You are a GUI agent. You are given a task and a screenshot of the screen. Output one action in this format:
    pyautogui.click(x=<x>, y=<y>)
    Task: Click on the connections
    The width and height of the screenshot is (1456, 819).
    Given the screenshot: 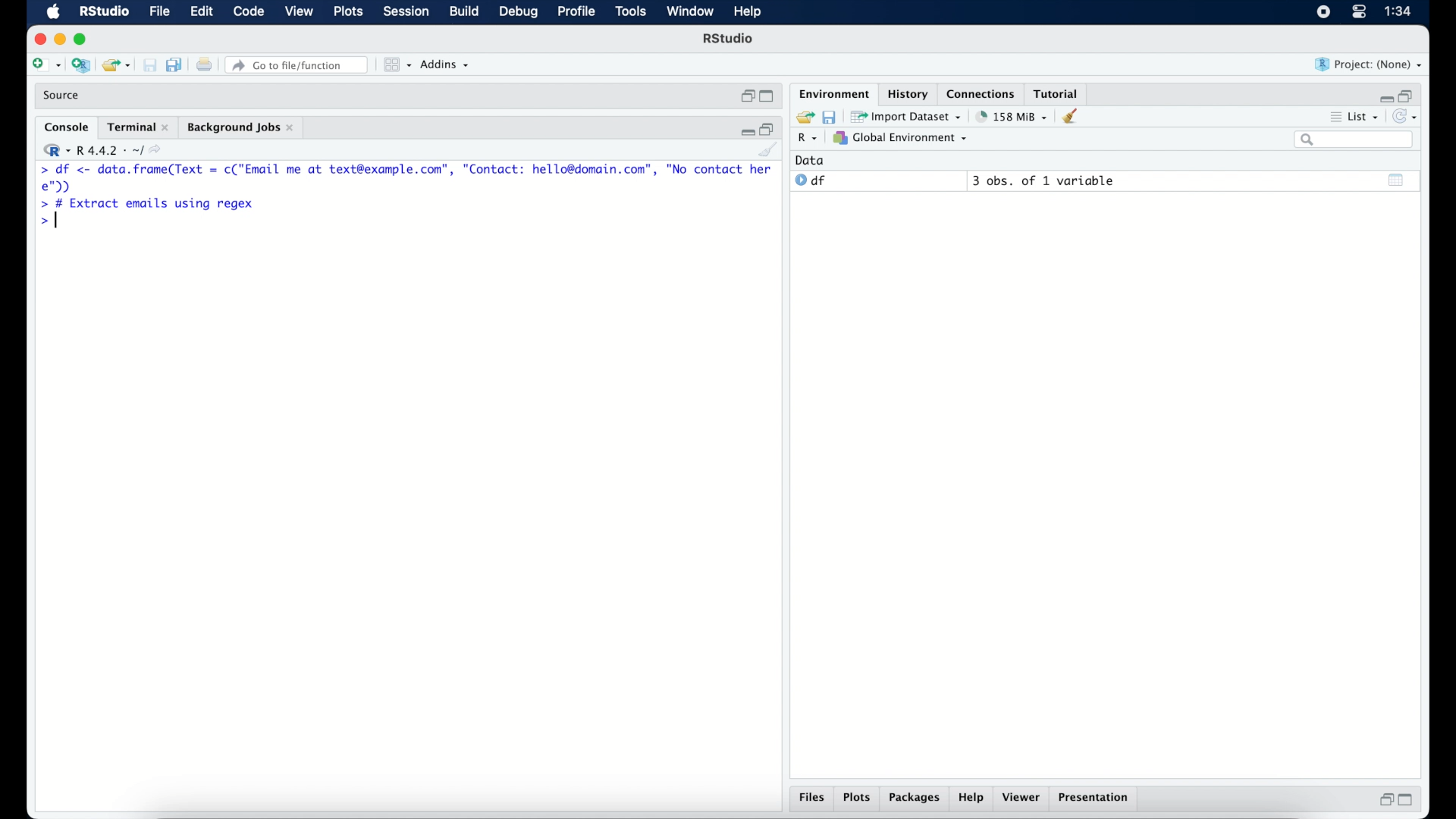 What is the action you would take?
    pyautogui.click(x=983, y=93)
    